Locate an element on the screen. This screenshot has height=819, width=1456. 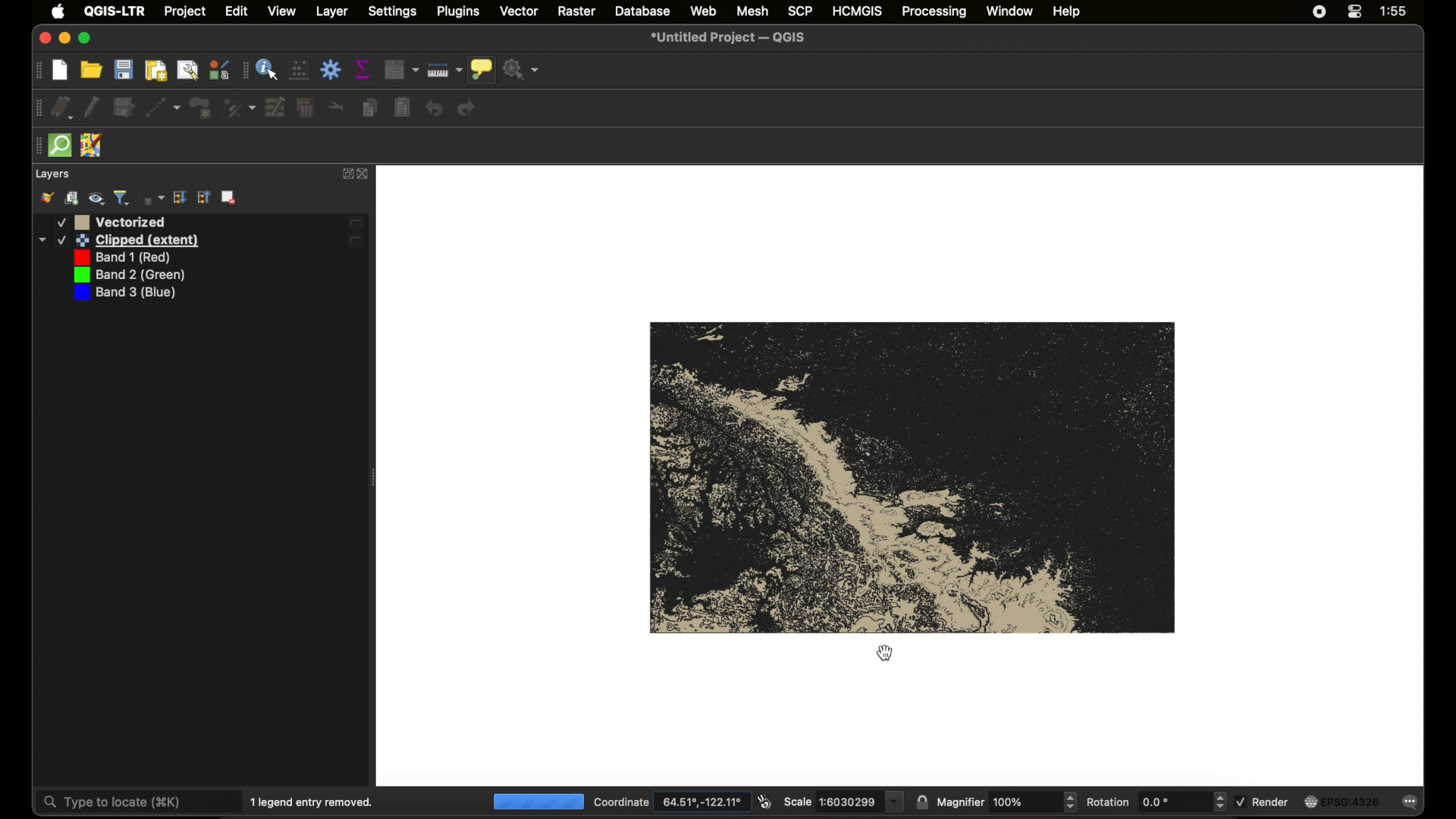
expand all is located at coordinates (204, 197).